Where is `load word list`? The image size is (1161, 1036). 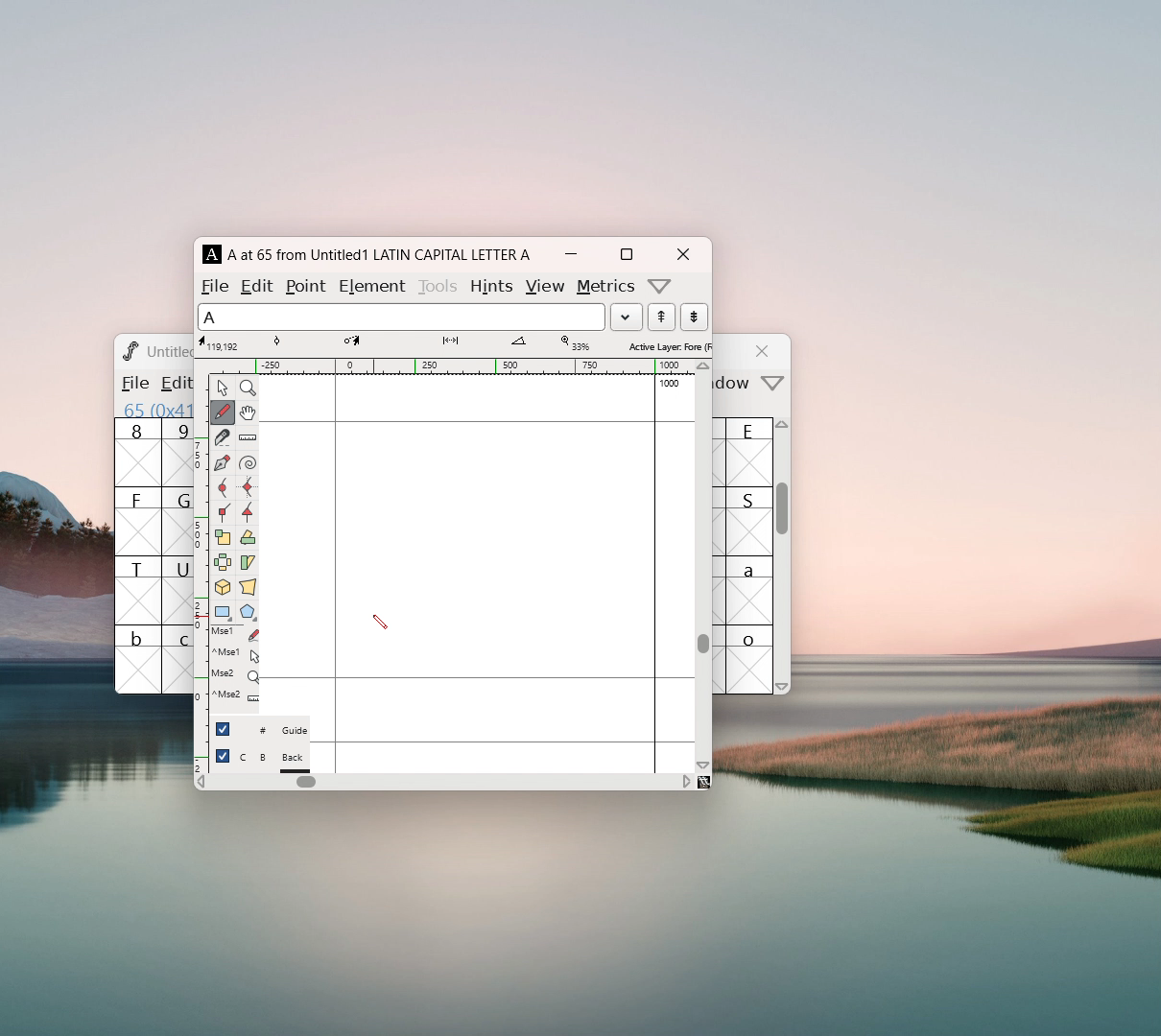 load word list is located at coordinates (626, 317).